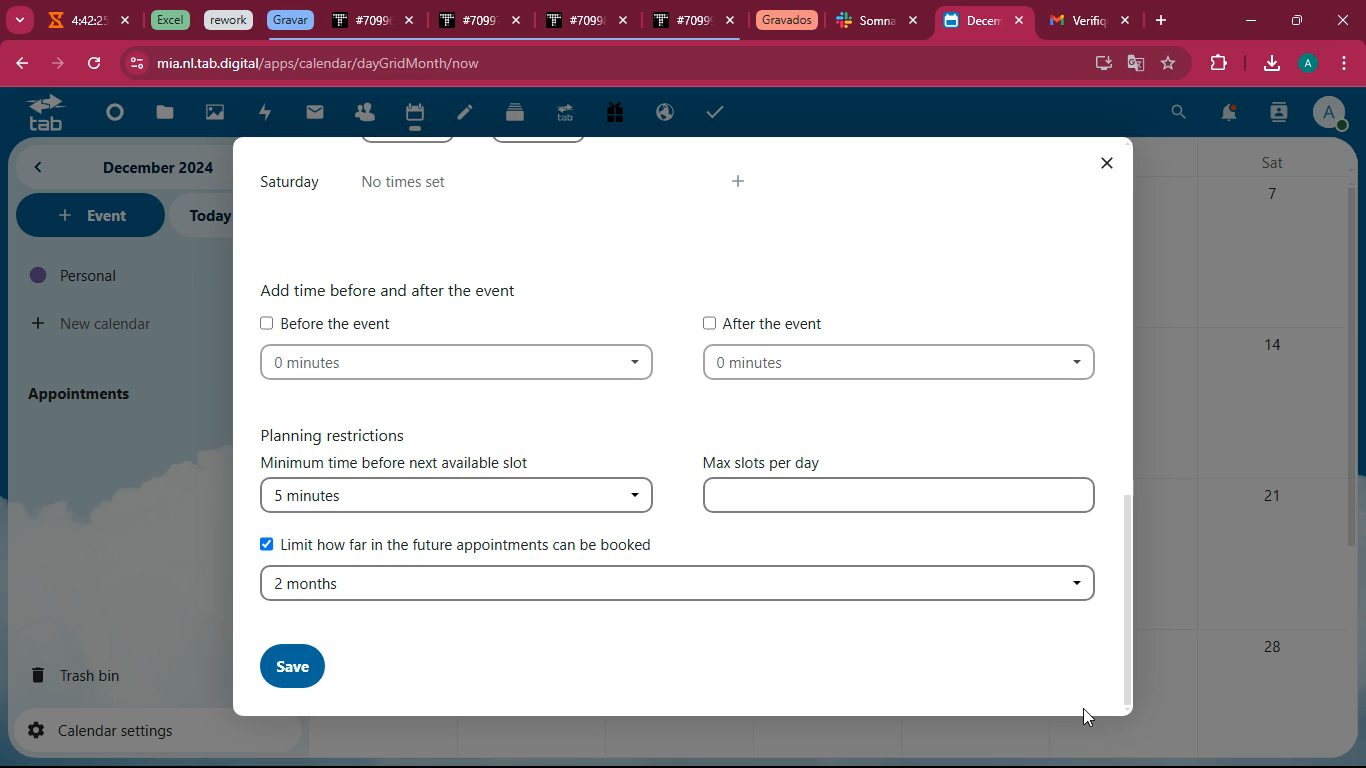 The width and height of the screenshot is (1366, 768). What do you see at coordinates (127, 21) in the screenshot?
I see `close` at bounding box center [127, 21].